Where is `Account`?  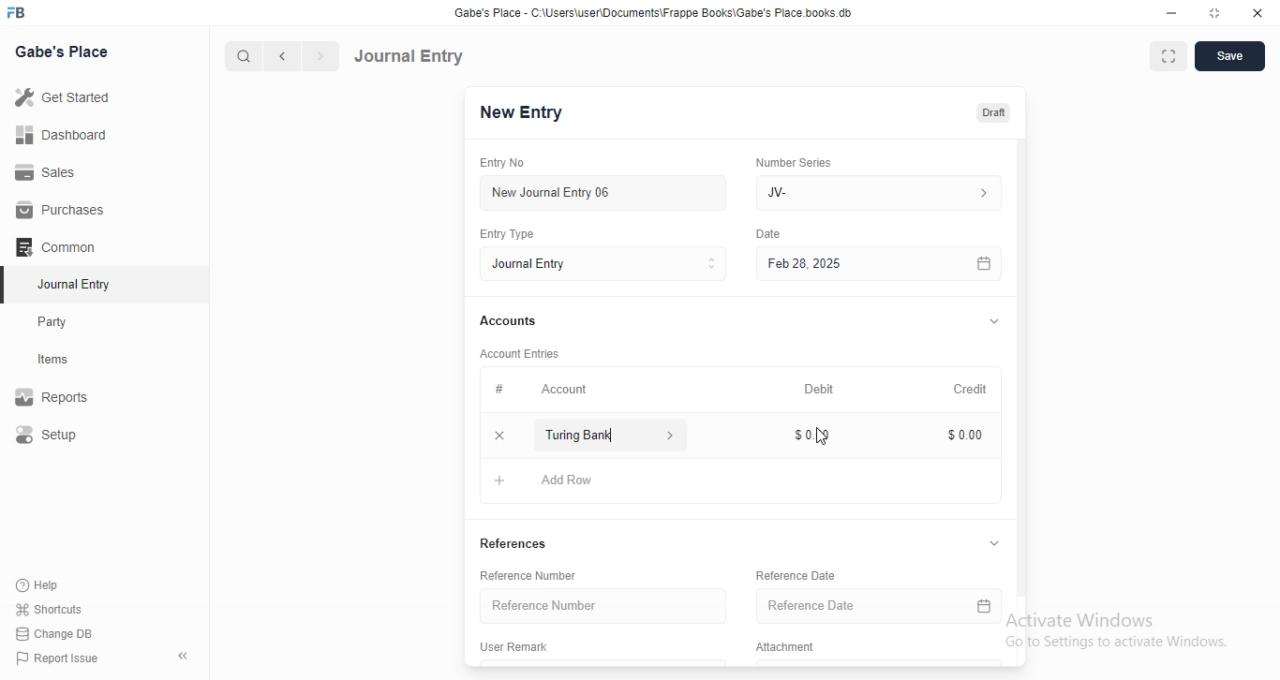 Account is located at coordinates (549, 391).